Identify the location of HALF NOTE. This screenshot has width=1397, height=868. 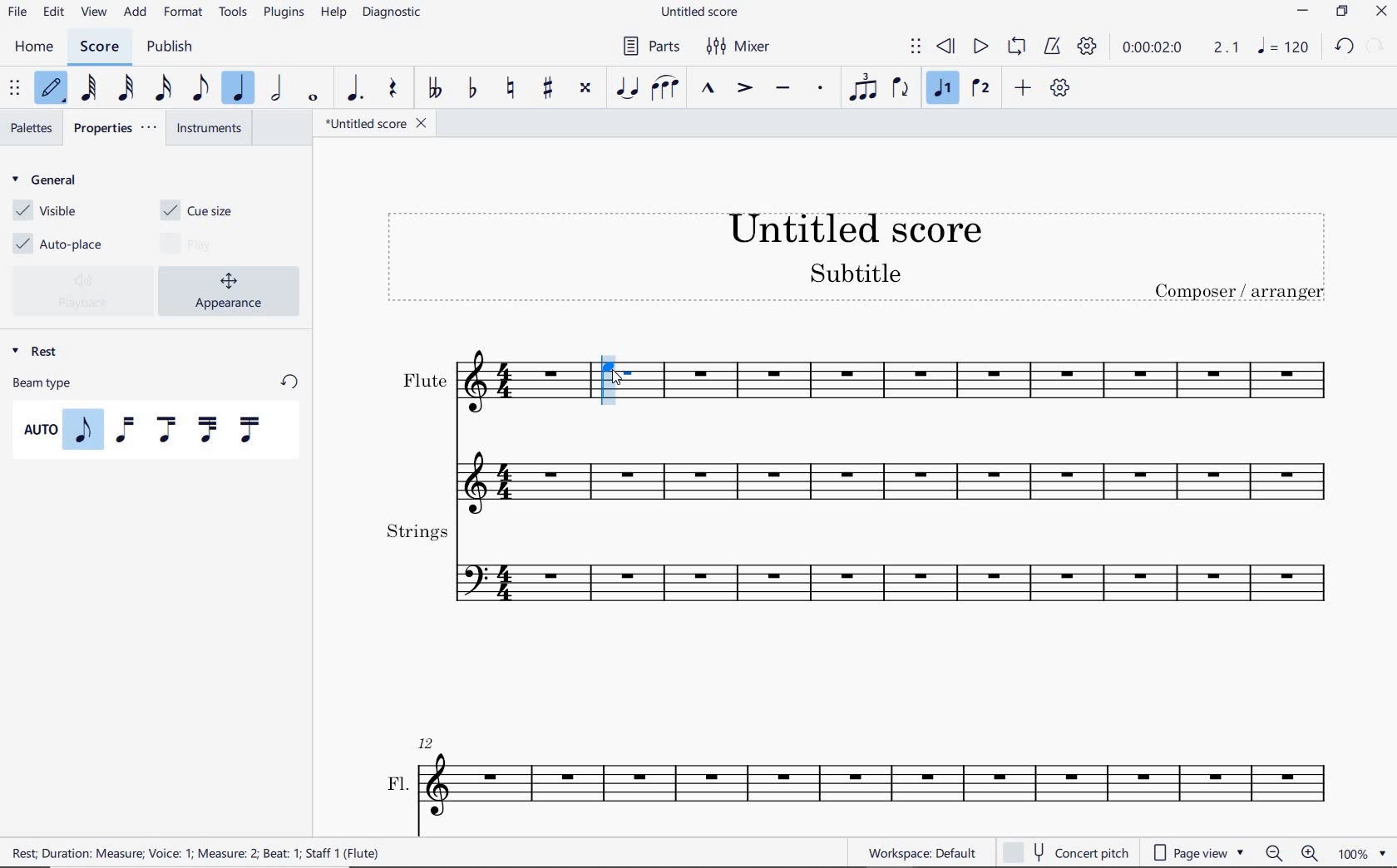
(279, 89).